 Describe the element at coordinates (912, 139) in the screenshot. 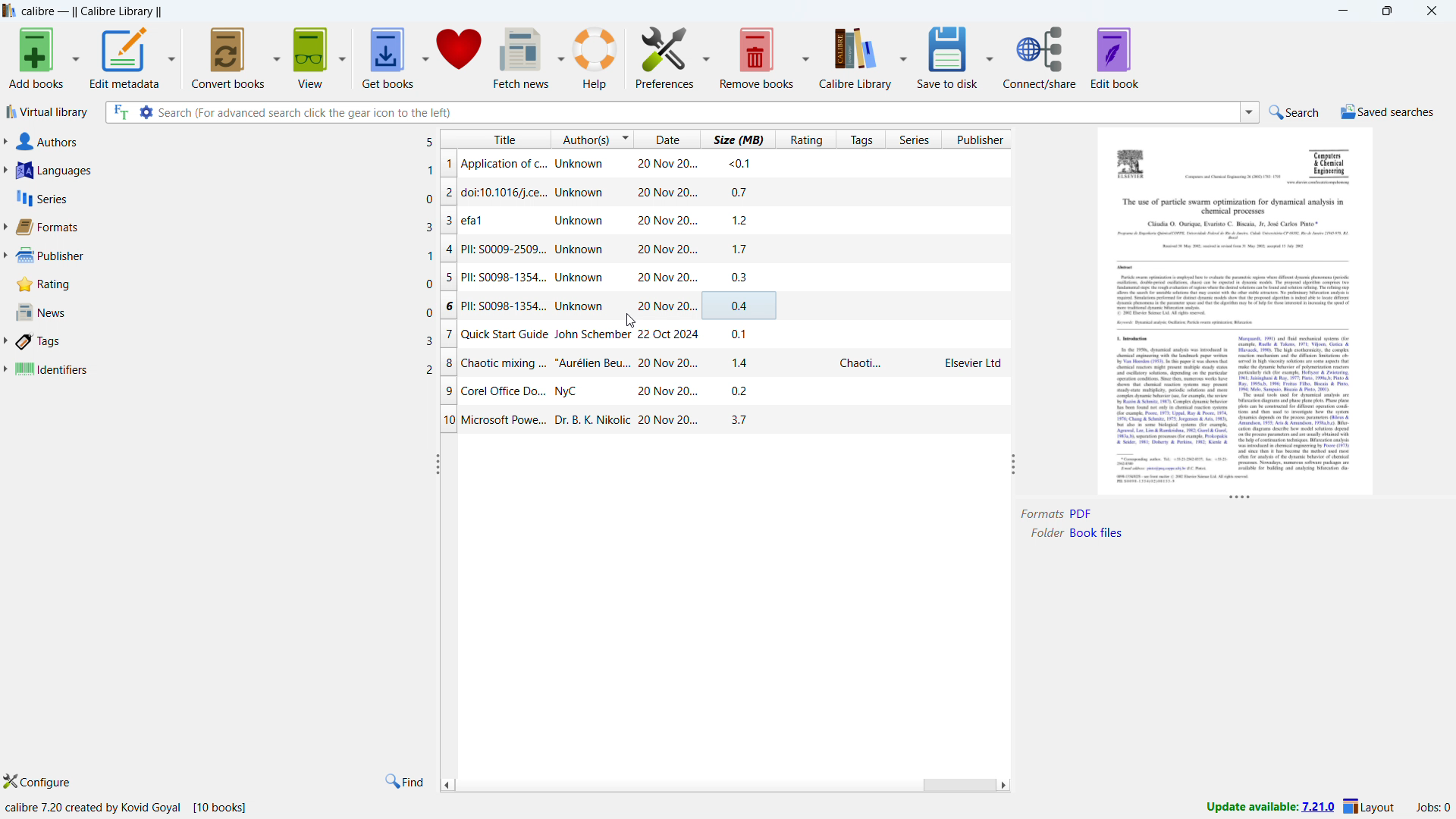

I see `sort by series` at that location.